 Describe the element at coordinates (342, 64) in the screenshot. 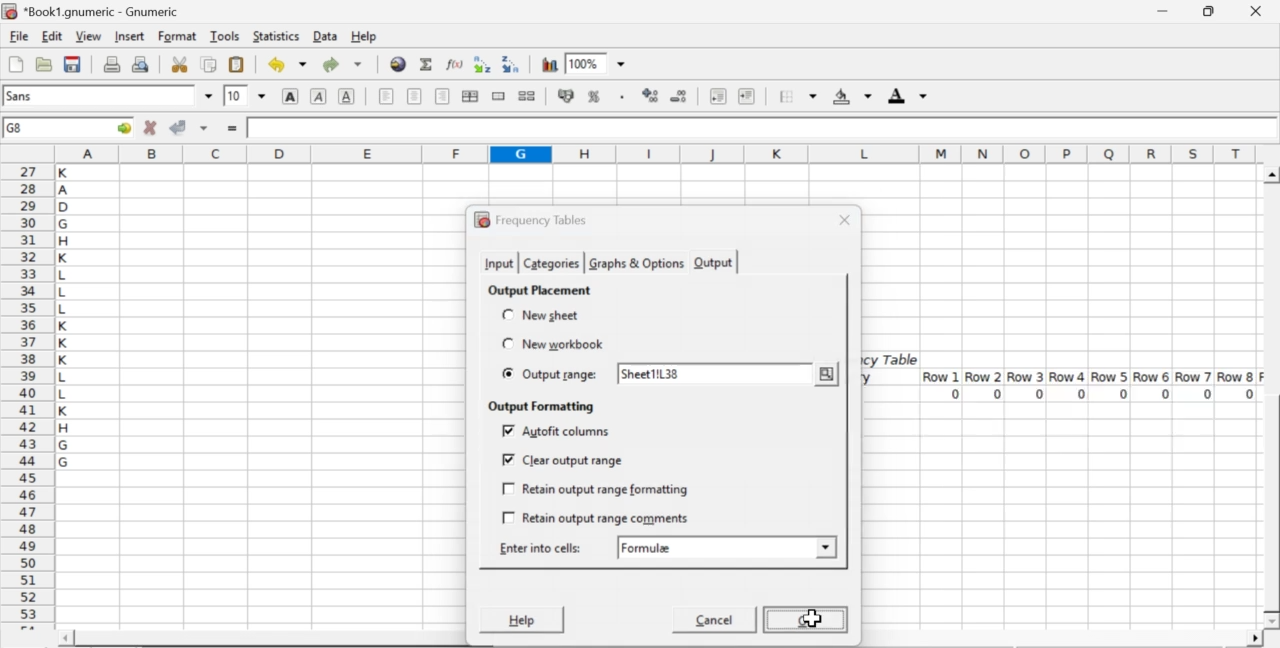

I see `redo` at that location.